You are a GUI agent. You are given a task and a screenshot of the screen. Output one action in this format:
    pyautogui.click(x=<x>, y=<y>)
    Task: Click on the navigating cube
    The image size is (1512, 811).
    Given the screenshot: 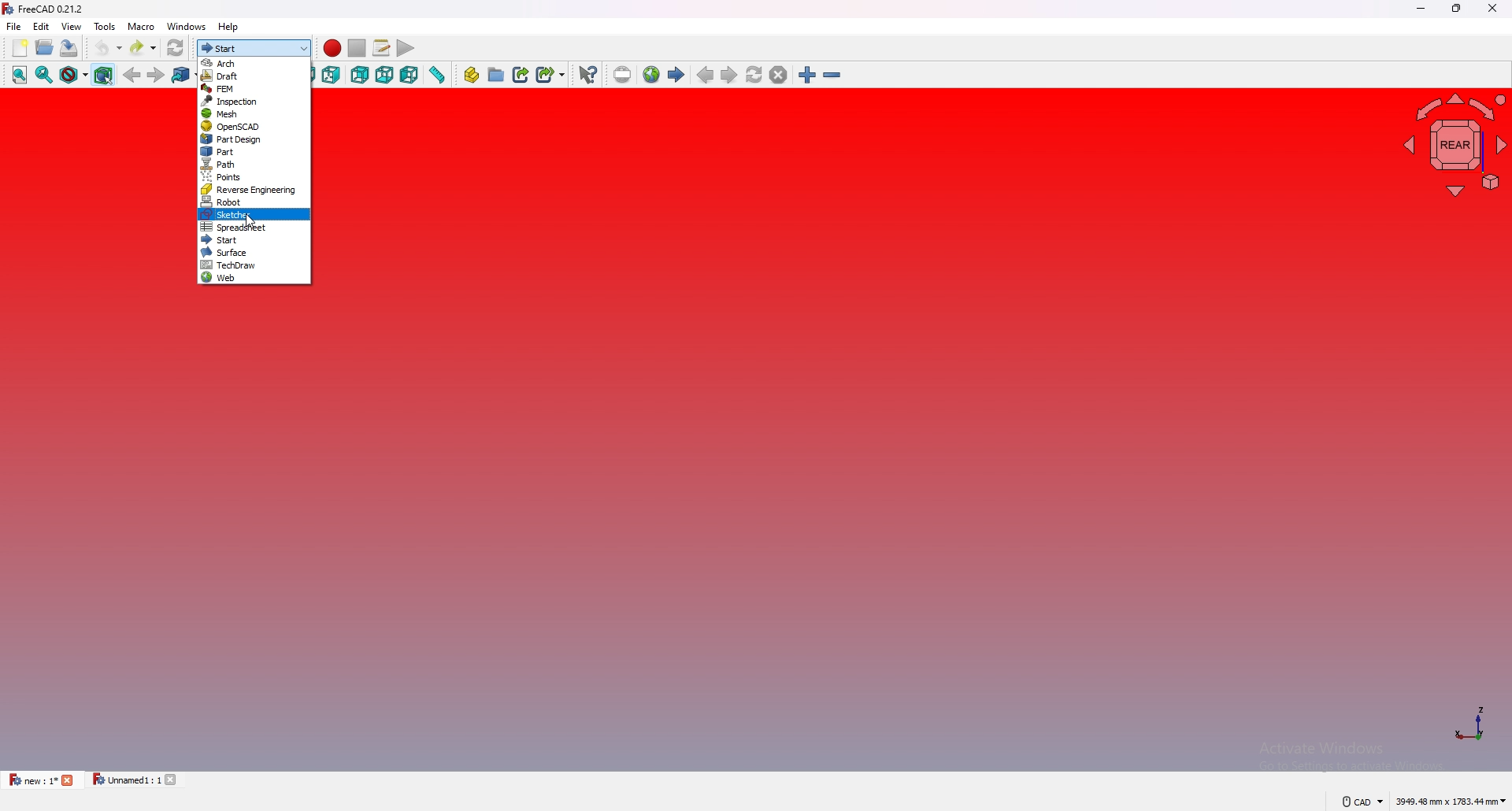 What is the action you would take?
    pyautogui.click(x=1451, y=145)
    